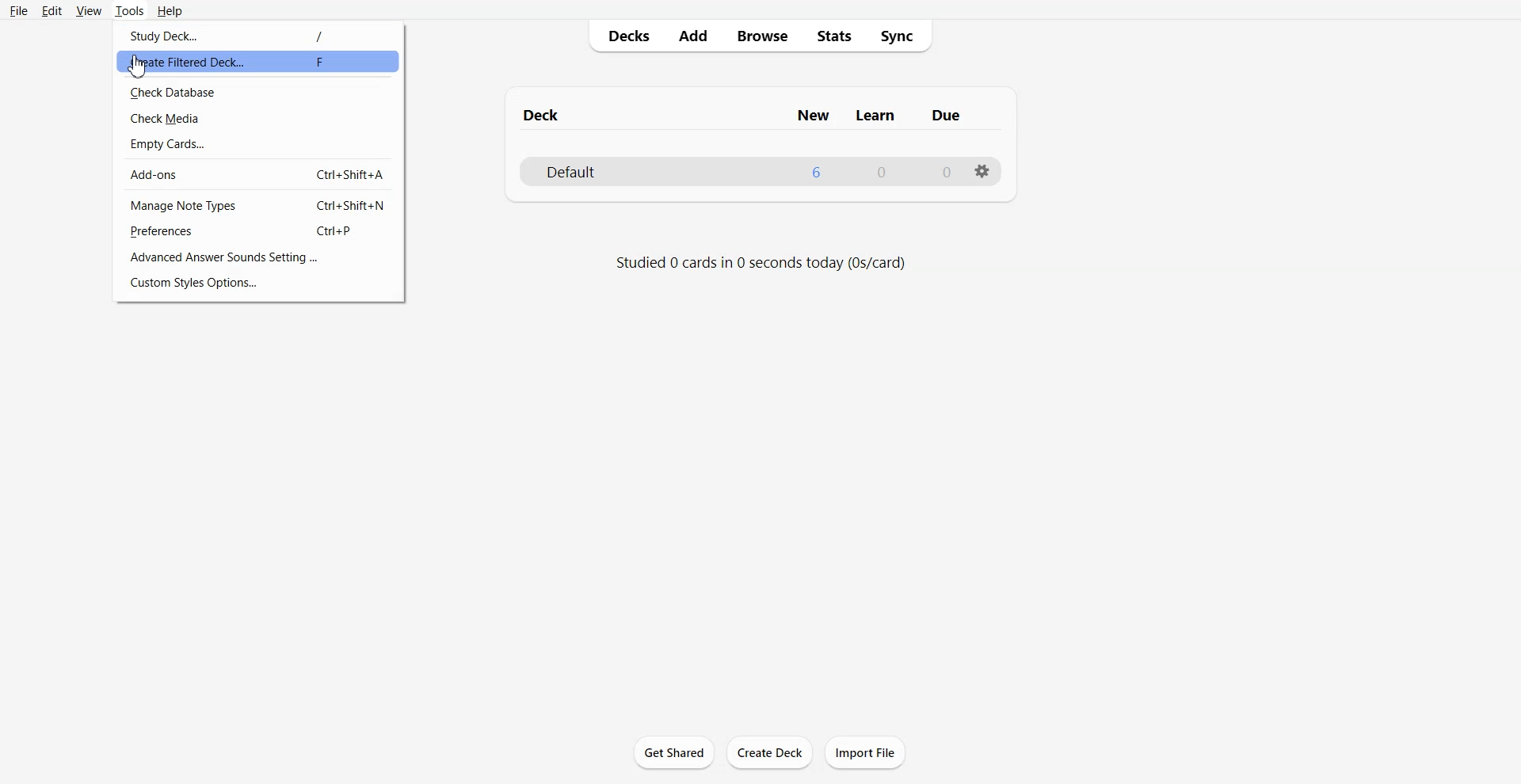  What do you see at coordinates (260, 90) in the screenshot?
I see `Check Database` at bounding box center [260, 90].